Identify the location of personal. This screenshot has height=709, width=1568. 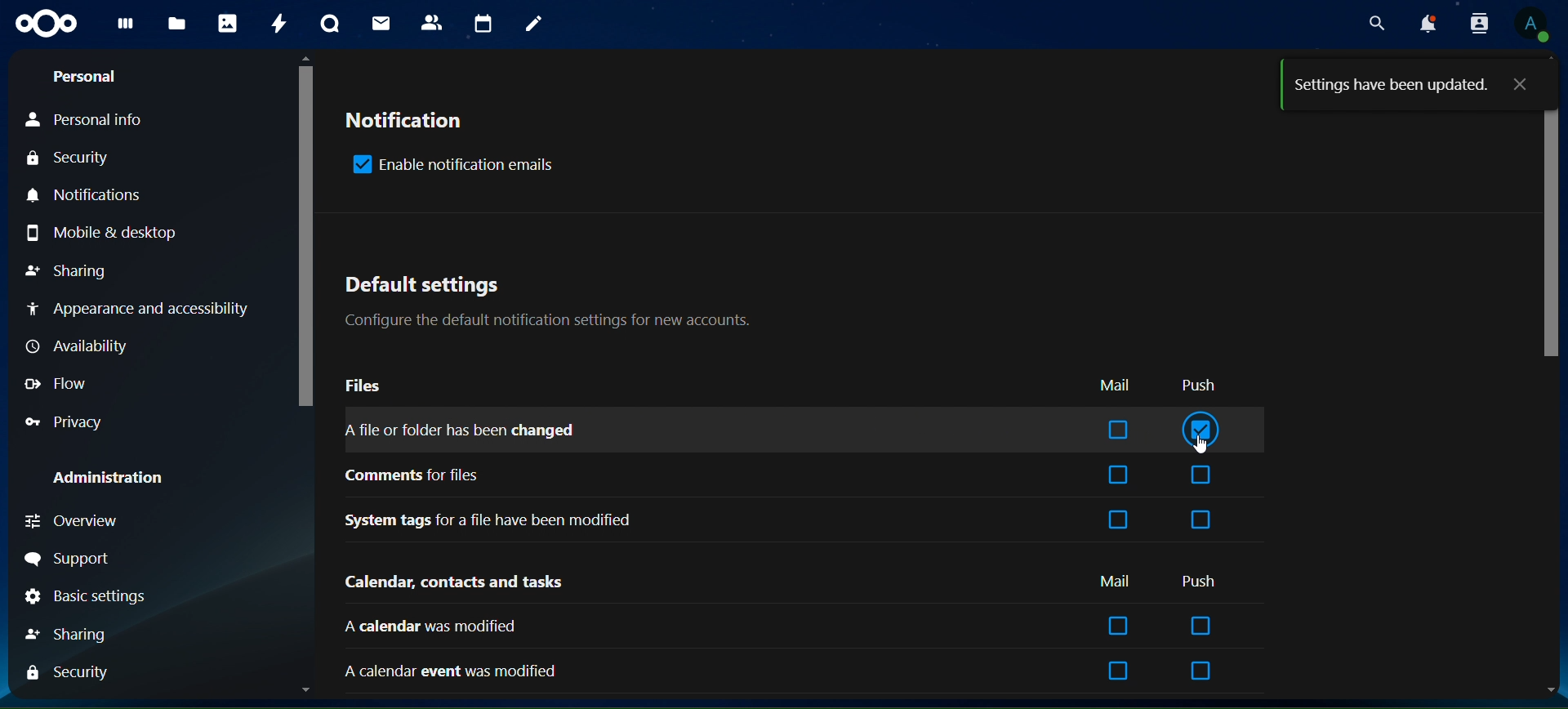
(106, 78).